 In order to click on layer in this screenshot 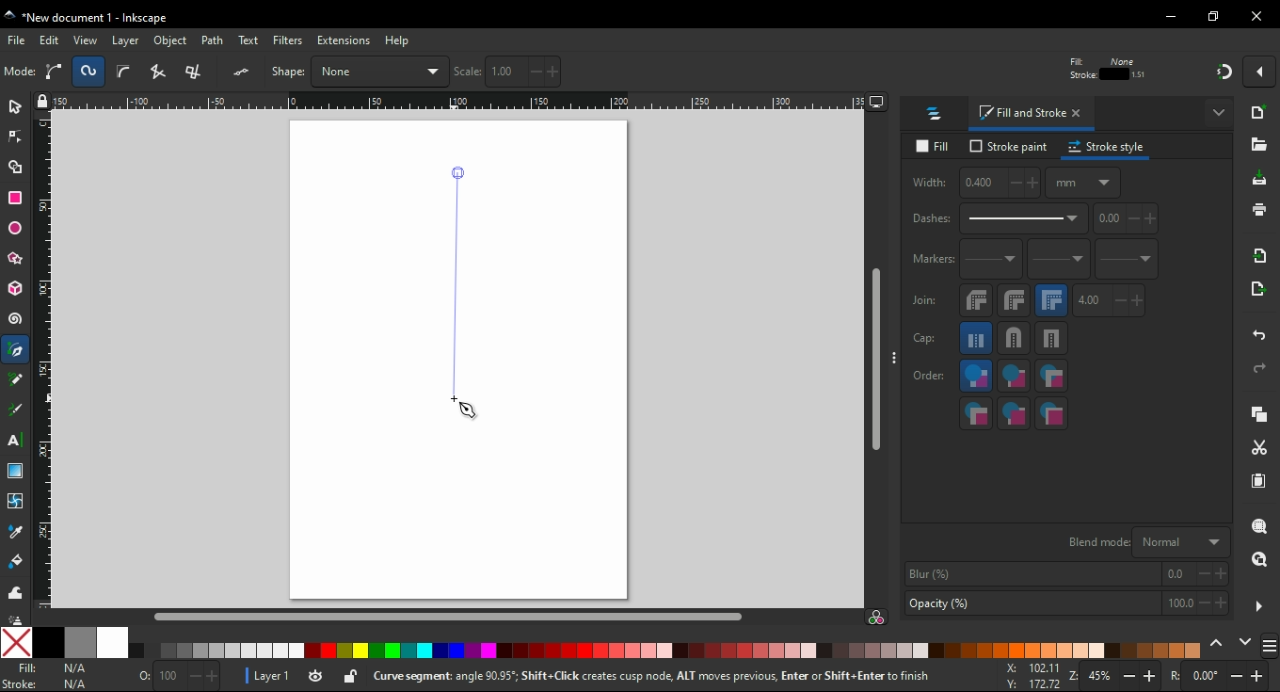, I will do `click(128, 40)`.